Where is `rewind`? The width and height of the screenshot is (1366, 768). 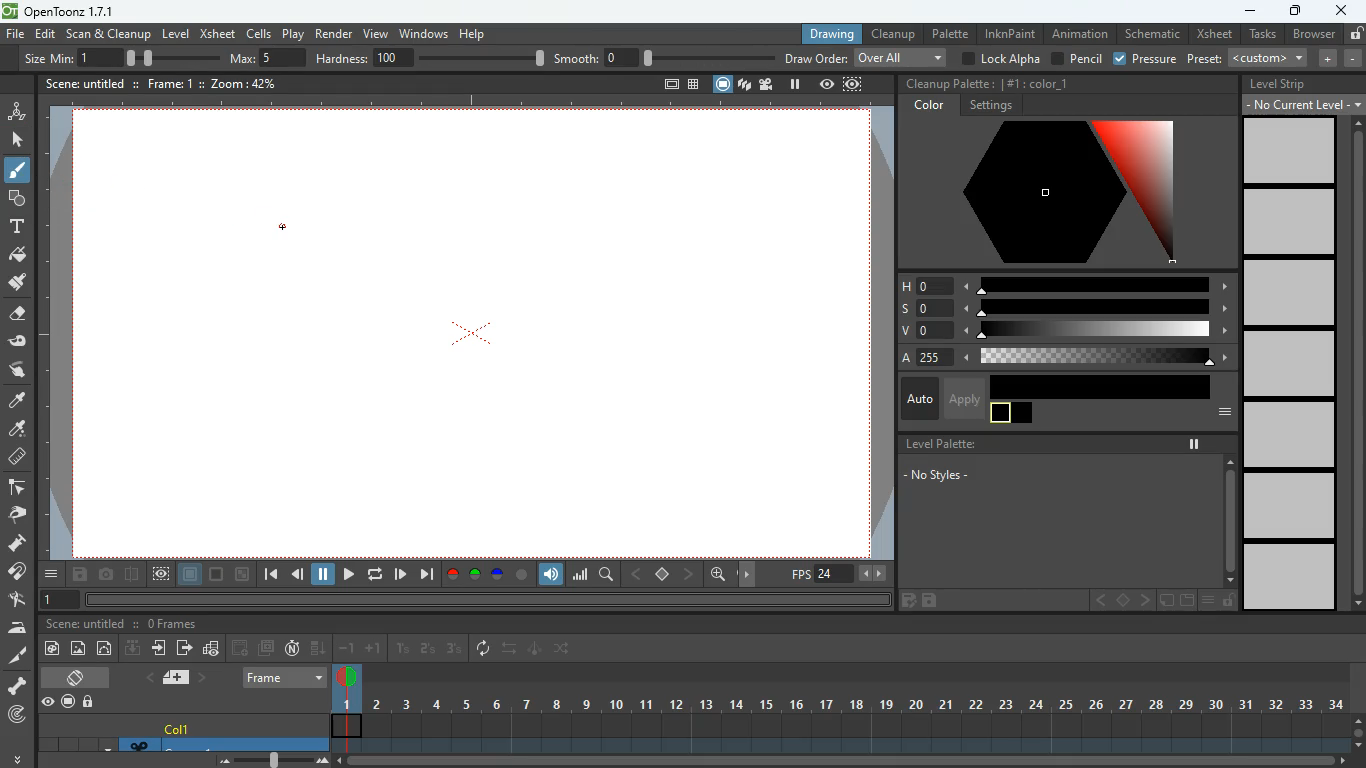 rewind is located at coordinates (377, 574).